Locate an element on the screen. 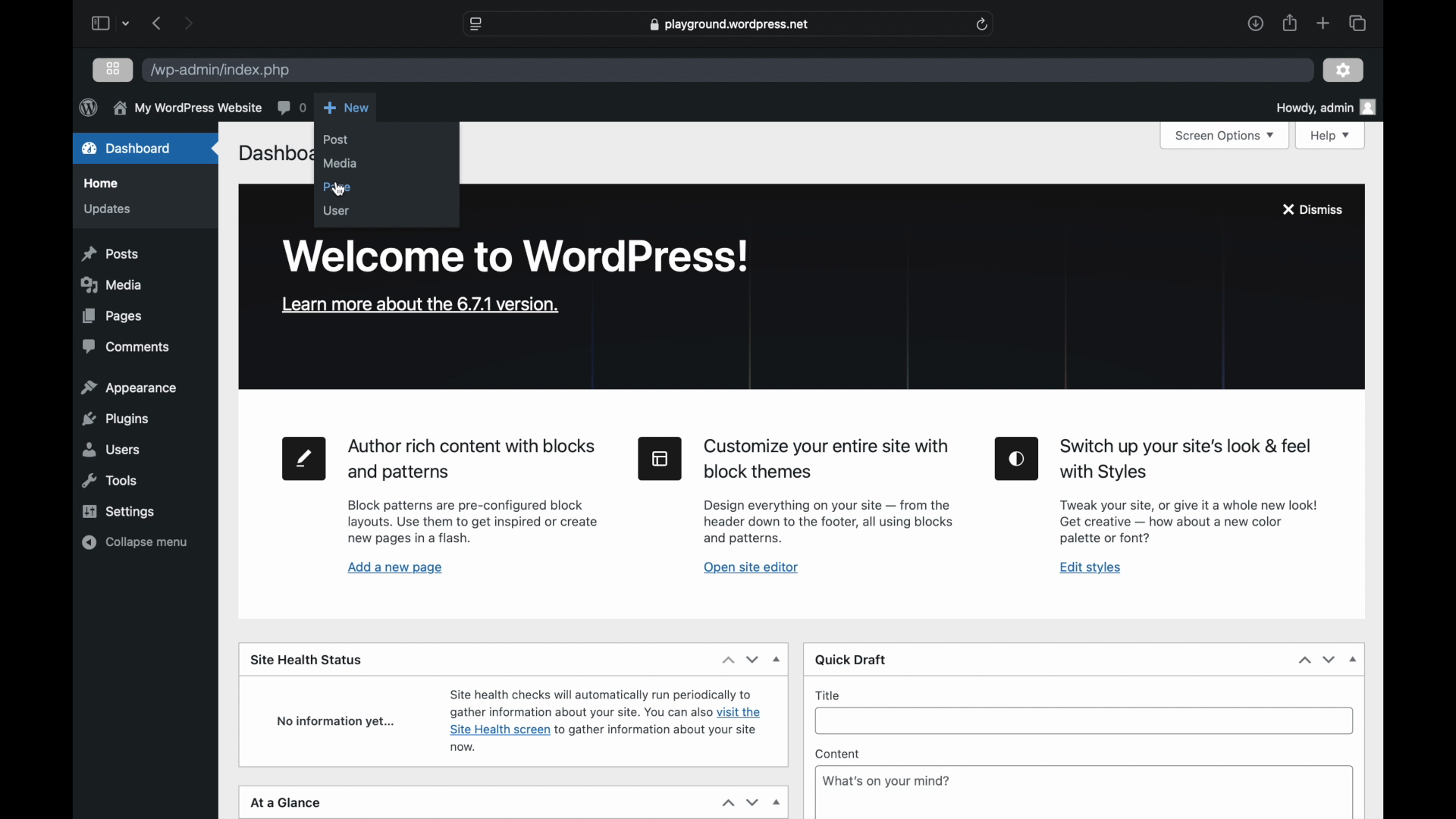 This screenshot has height=819, width=1456. quick draft is located at coordinates (851, 659).